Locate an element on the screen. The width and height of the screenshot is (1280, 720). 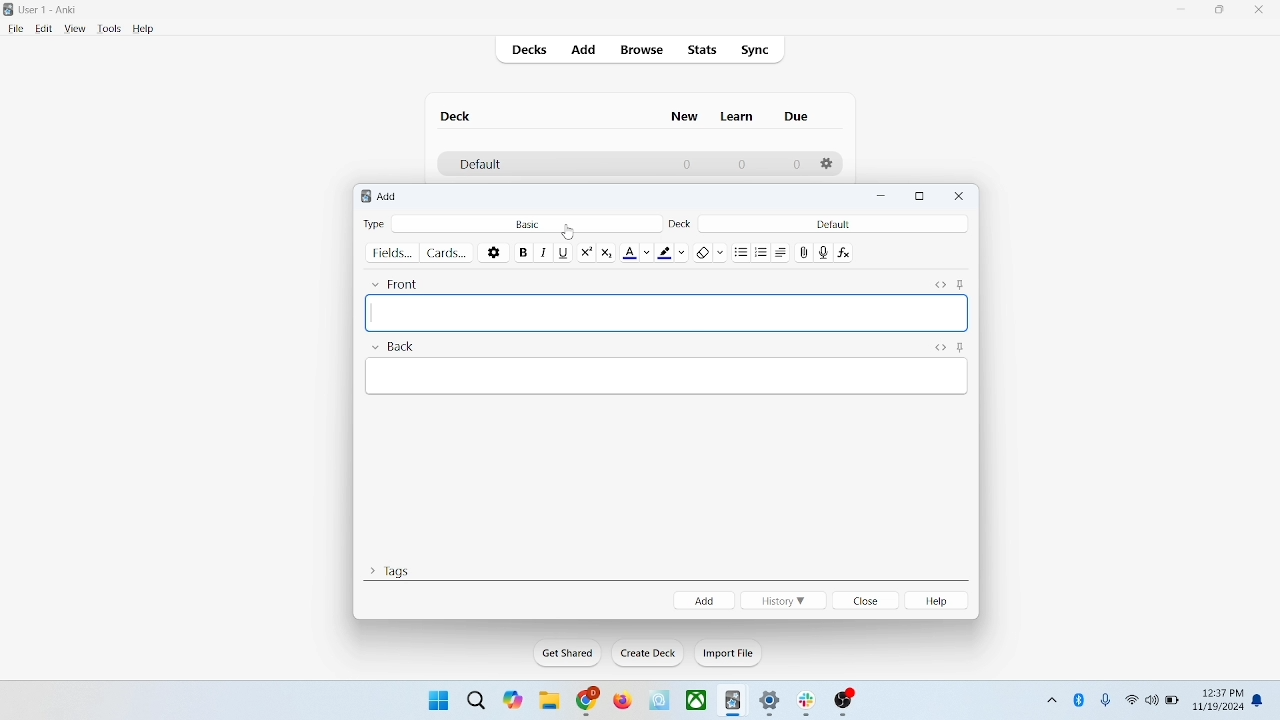
options is located at coordinates (828, 164).